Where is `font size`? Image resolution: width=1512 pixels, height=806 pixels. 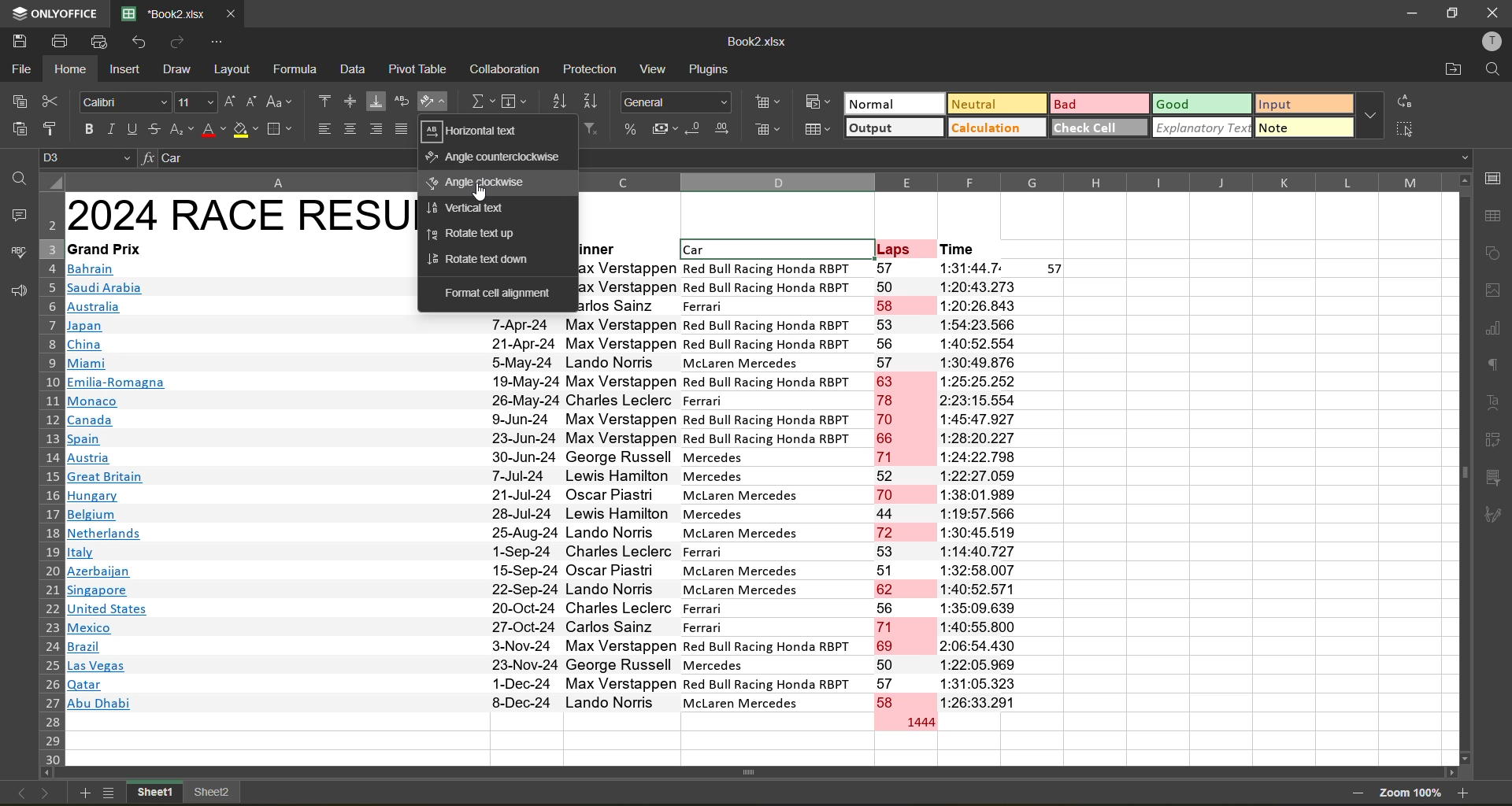 font size is located at coordinates (195, 102).